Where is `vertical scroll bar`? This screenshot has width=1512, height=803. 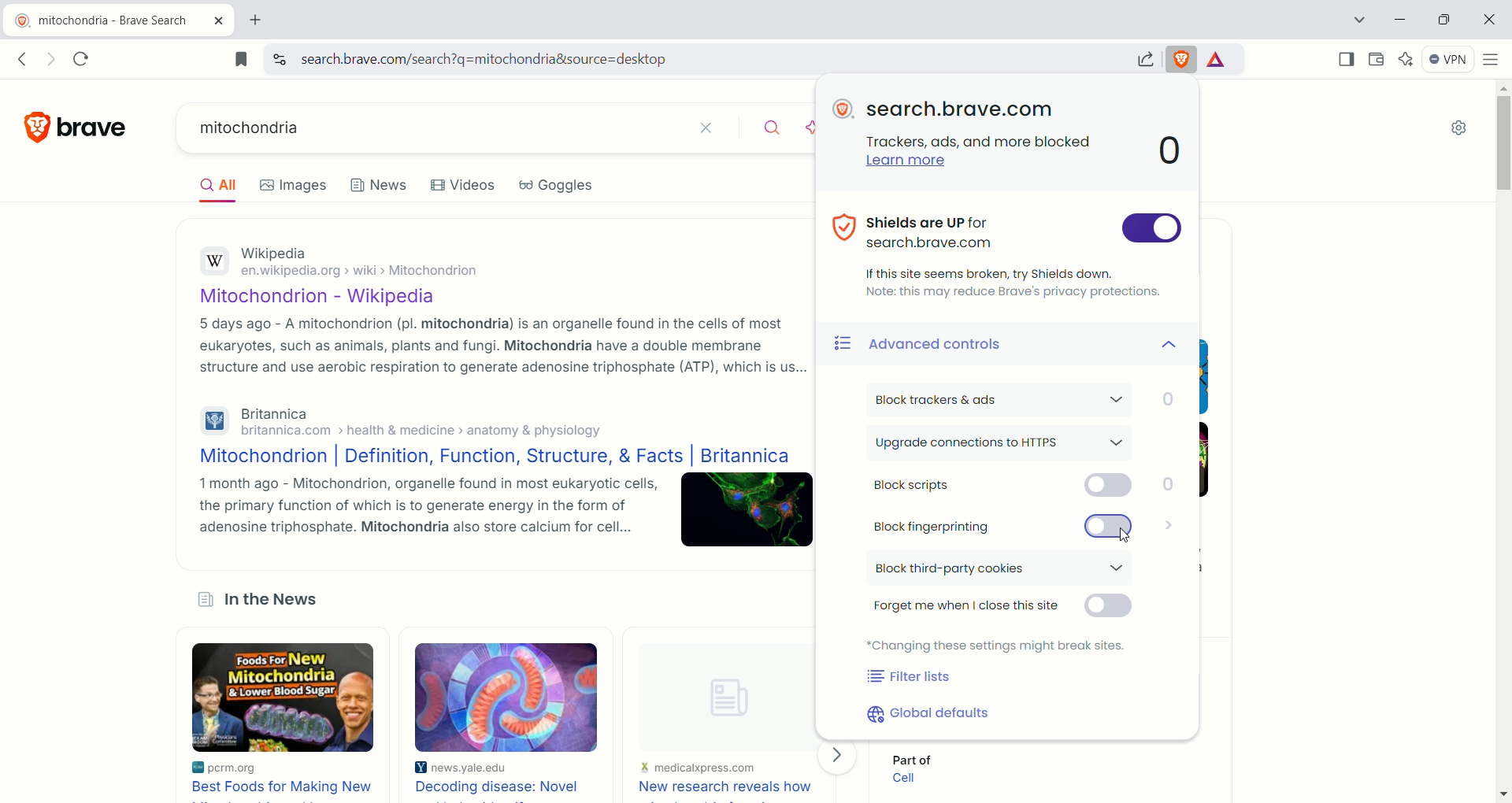
vertical scroll bar is located at coordinates (1503, 441).